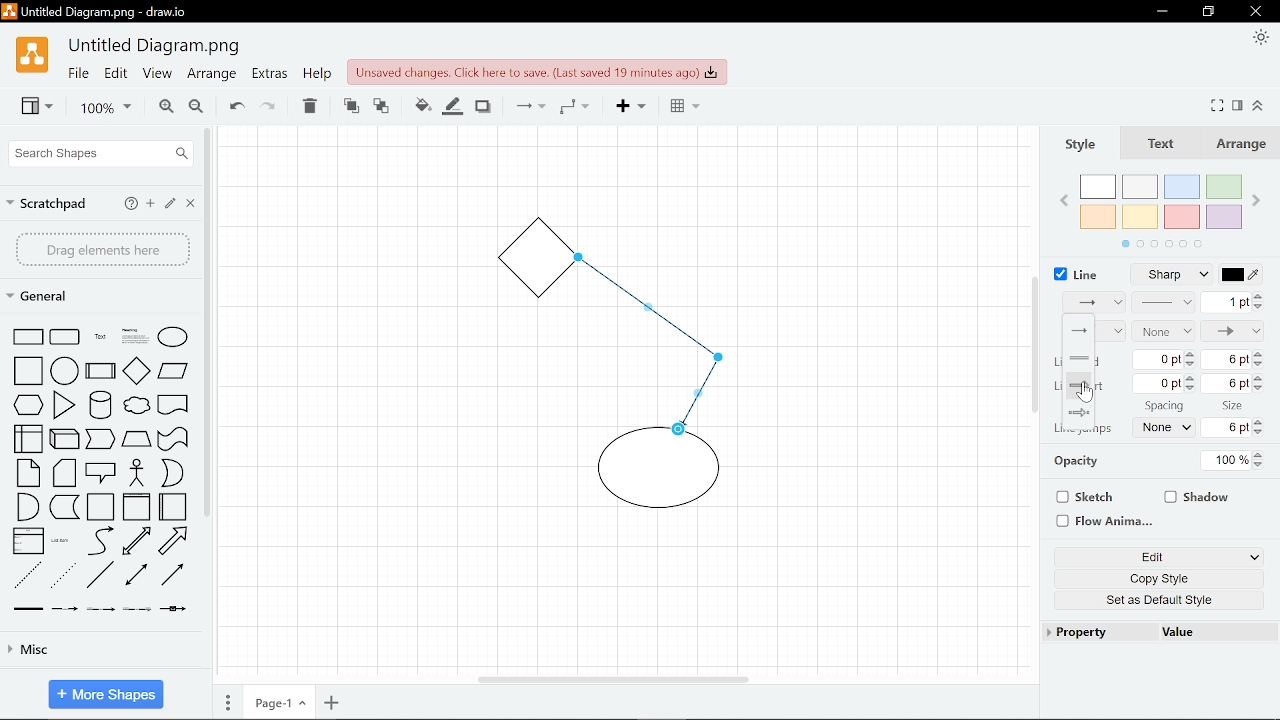  I want to click on minimize, so click(1163, 11).